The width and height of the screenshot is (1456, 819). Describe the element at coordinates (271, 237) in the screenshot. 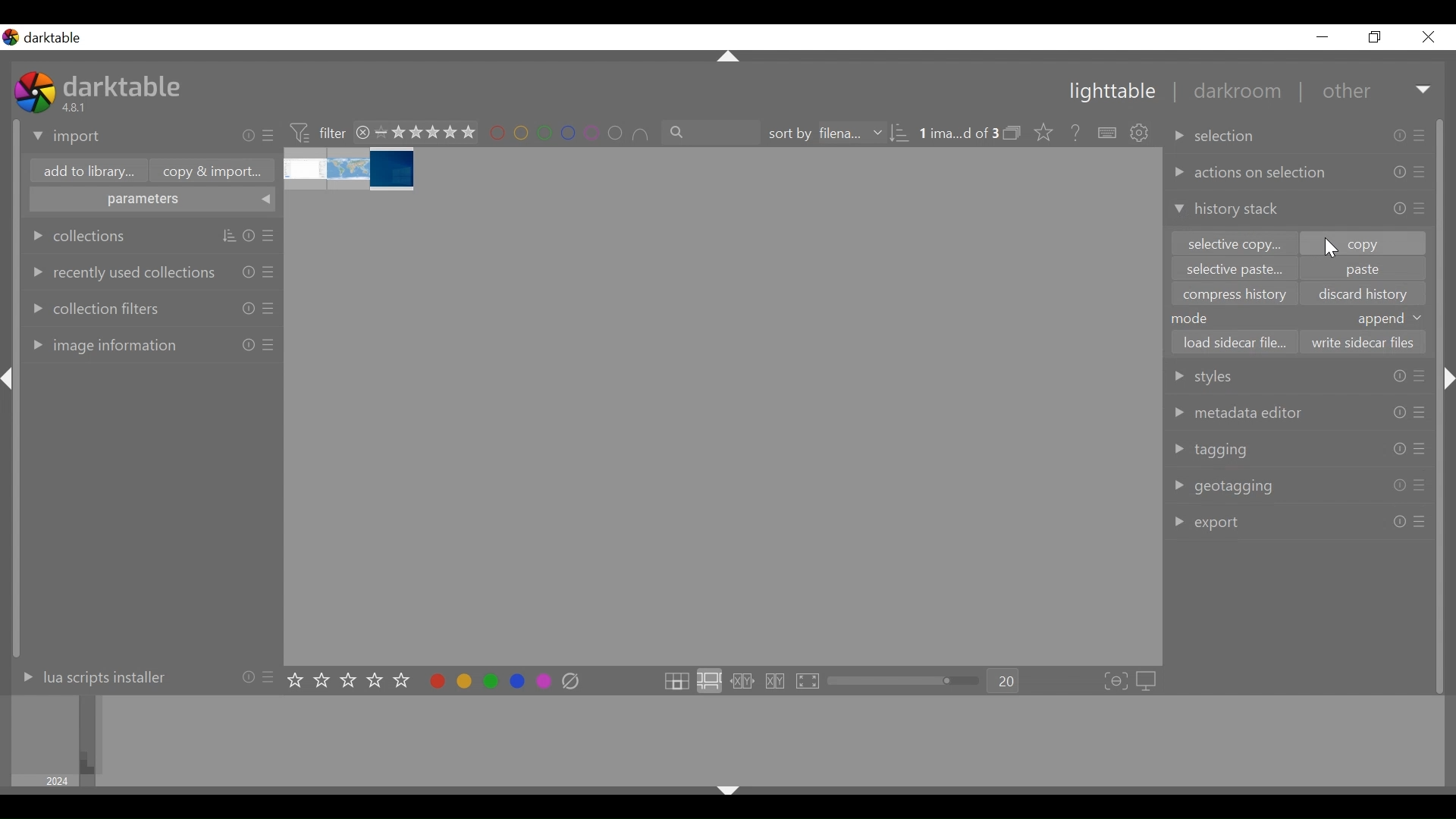

I see `presets` at that location.